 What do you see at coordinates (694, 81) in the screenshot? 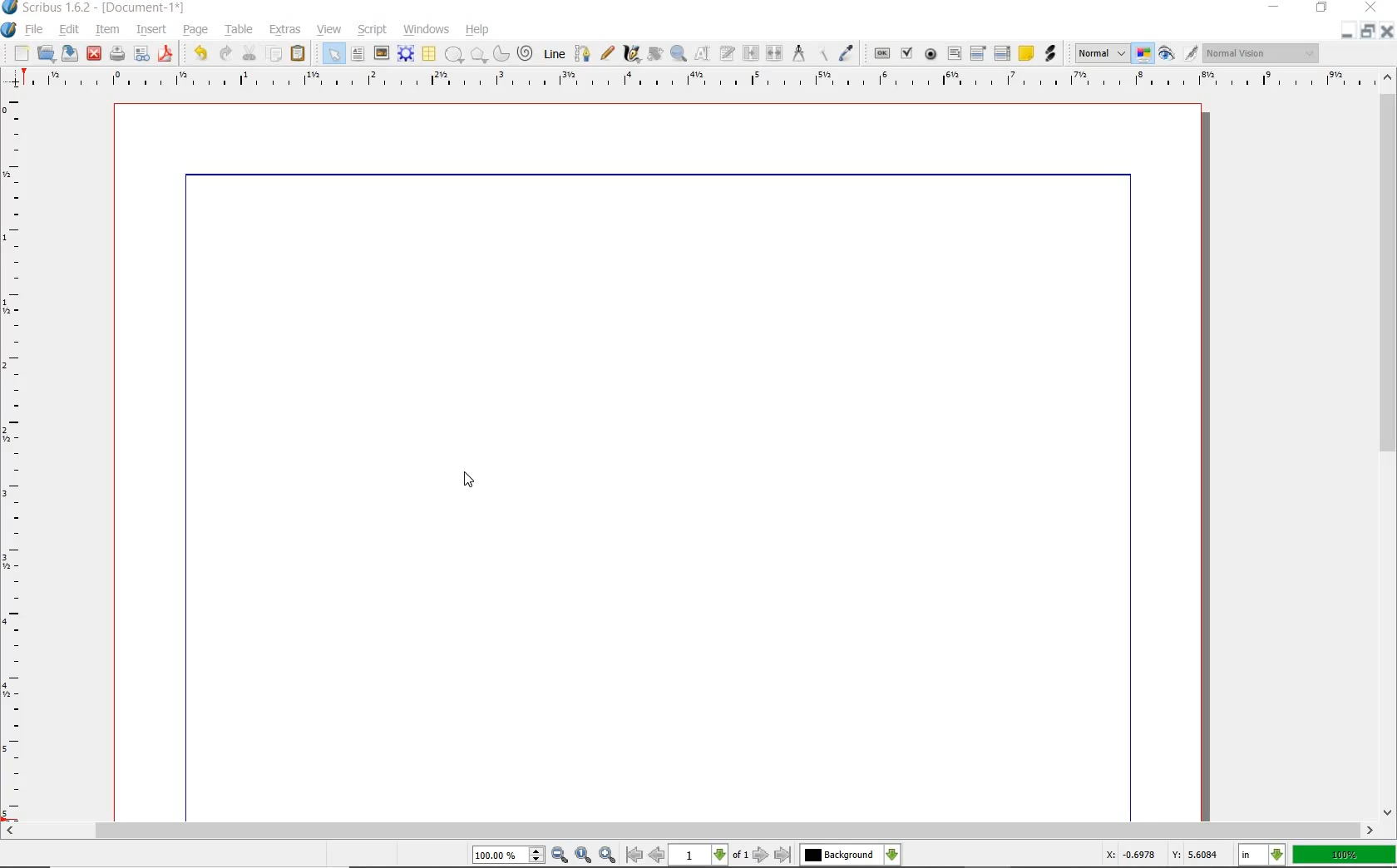
I see `RULER` at bounding box center [694, 81].